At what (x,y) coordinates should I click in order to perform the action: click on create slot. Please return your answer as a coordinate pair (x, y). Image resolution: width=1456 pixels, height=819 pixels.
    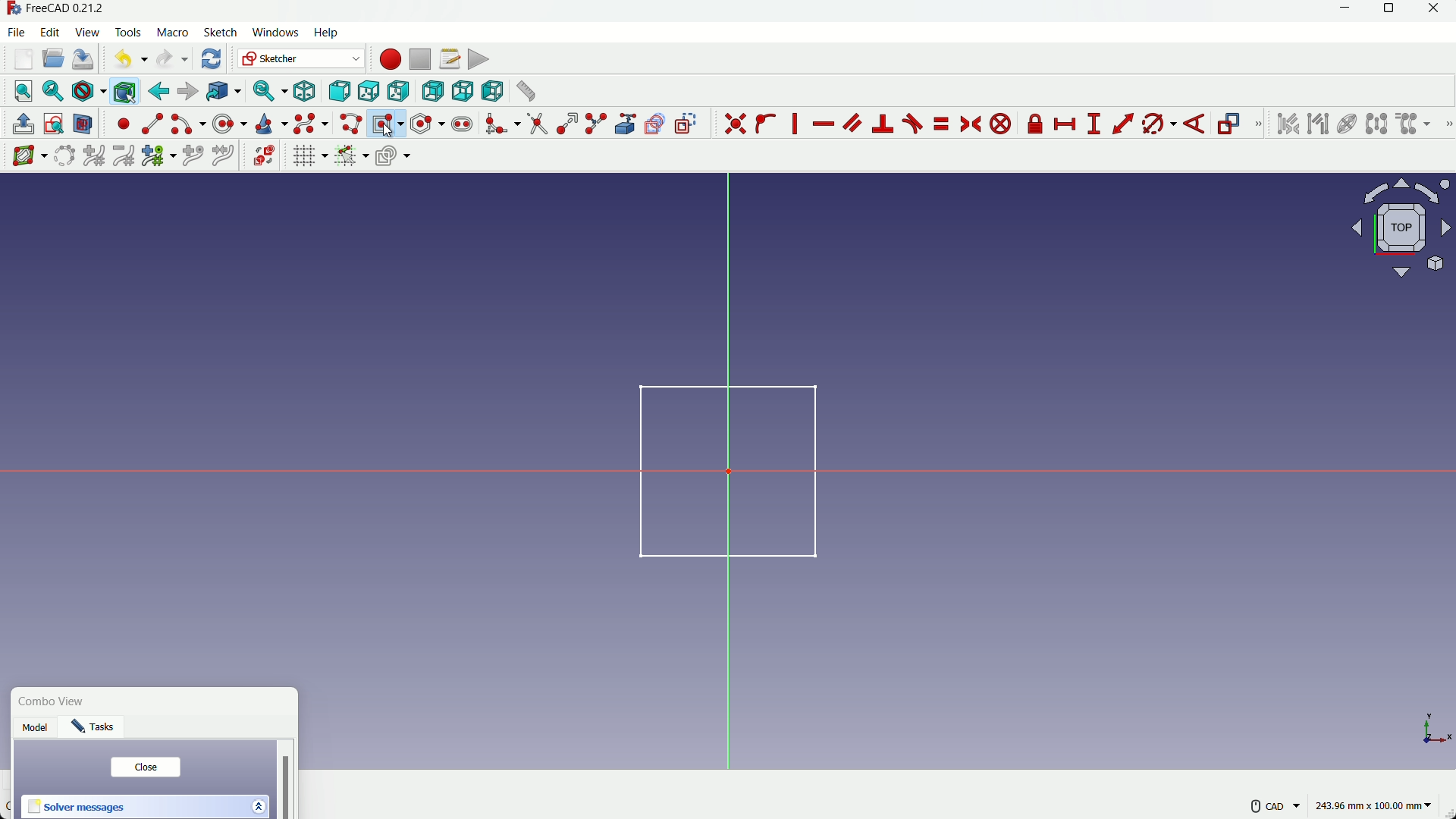
    Looking at the image, I should click on (462, 124).